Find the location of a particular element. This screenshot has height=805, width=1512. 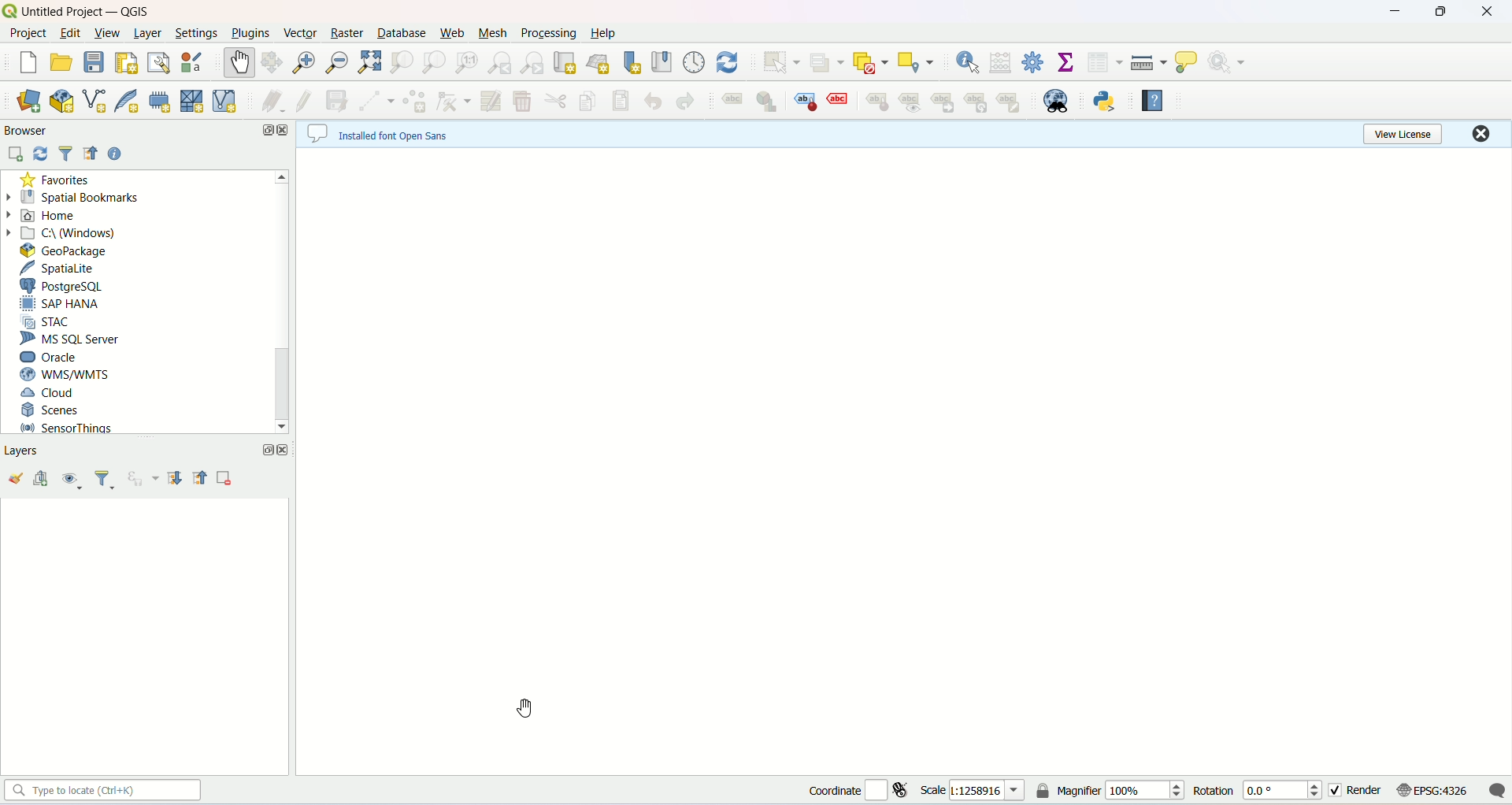

open attribute is located at coordinates (1107, 63).